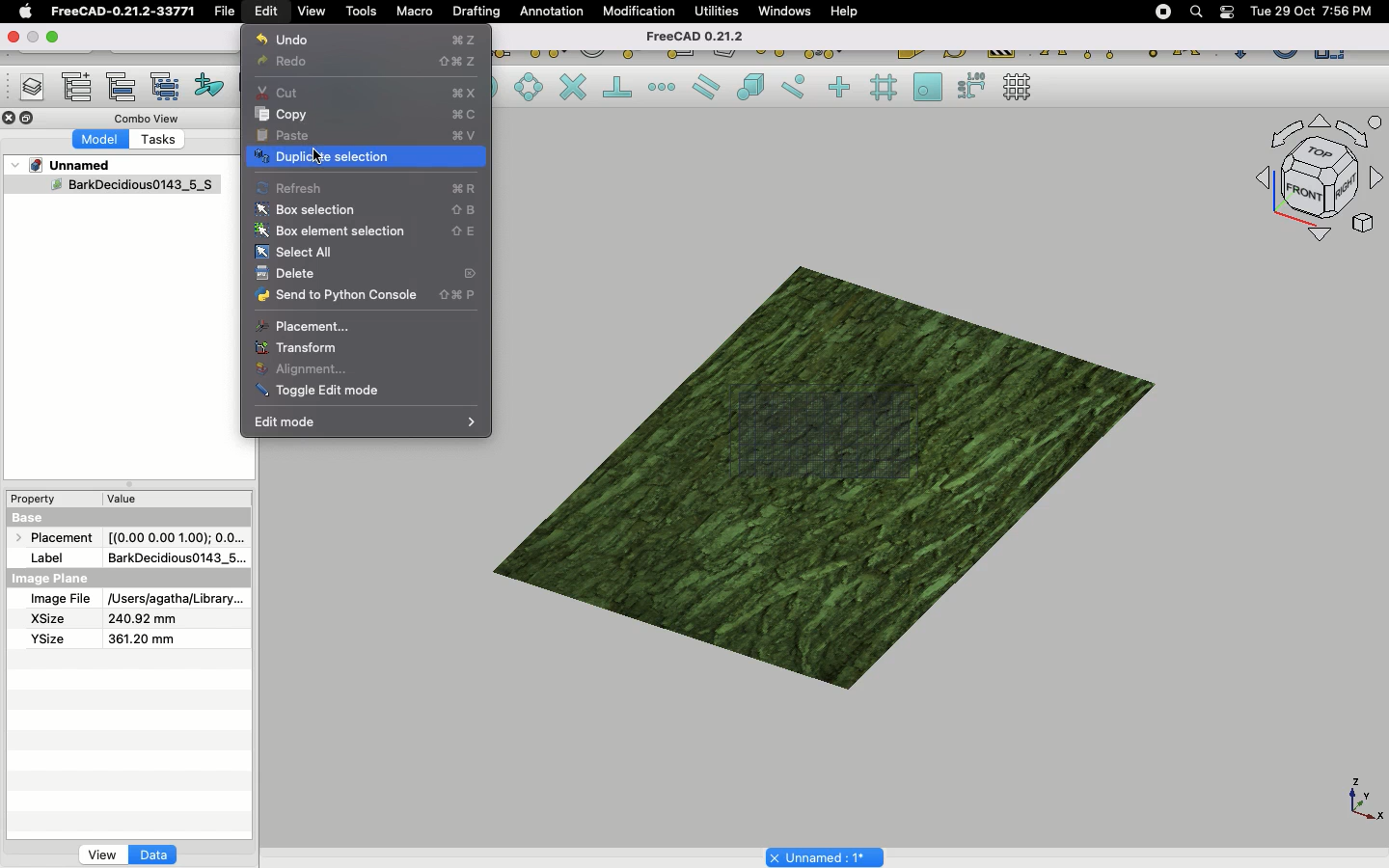  What do you see at coordinates (52, 579) in the screenshot?
I see `Image Plane` at bounding box center [52, 579].